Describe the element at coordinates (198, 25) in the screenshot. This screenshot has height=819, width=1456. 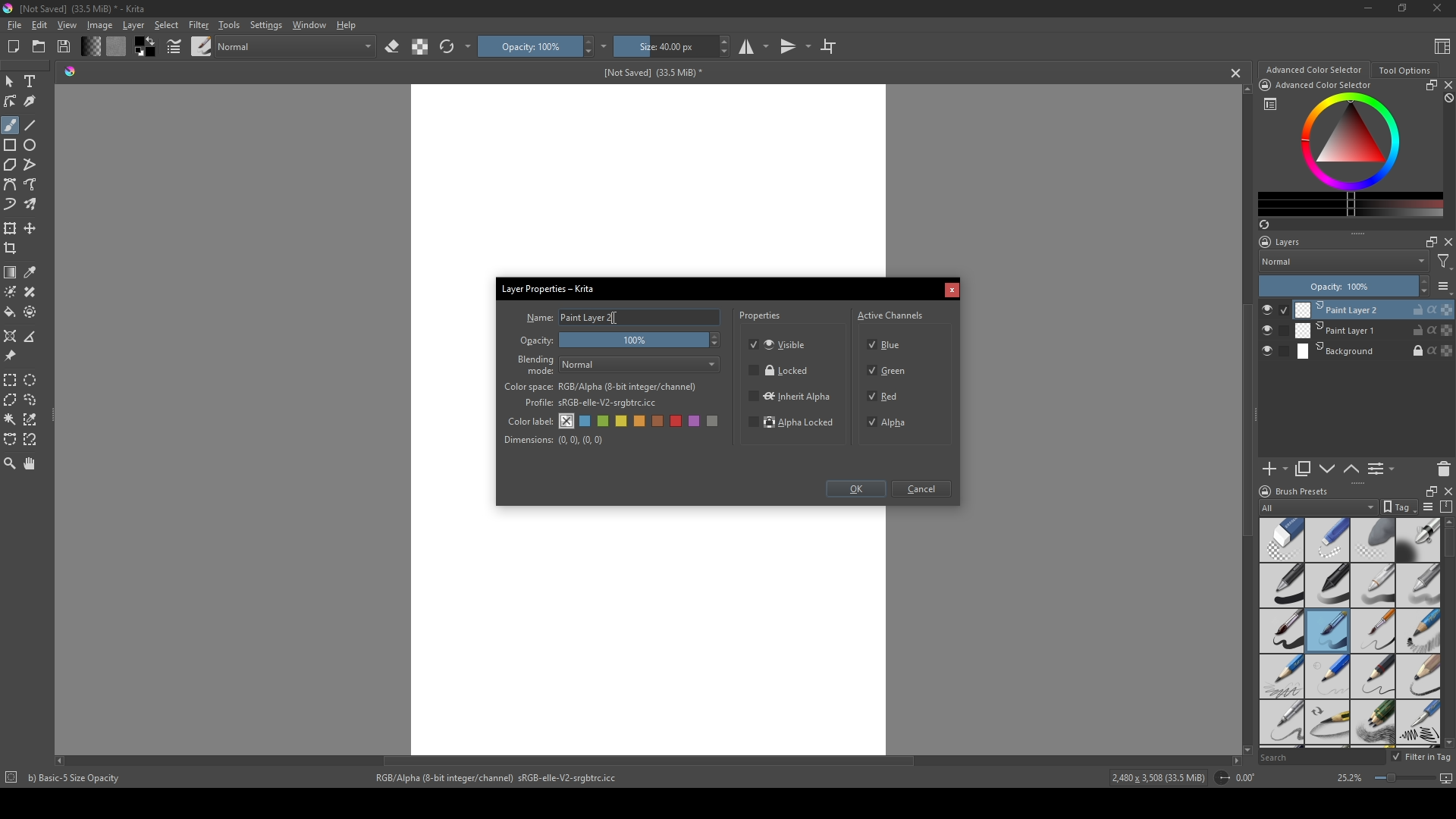
I see `Filter` at that location.